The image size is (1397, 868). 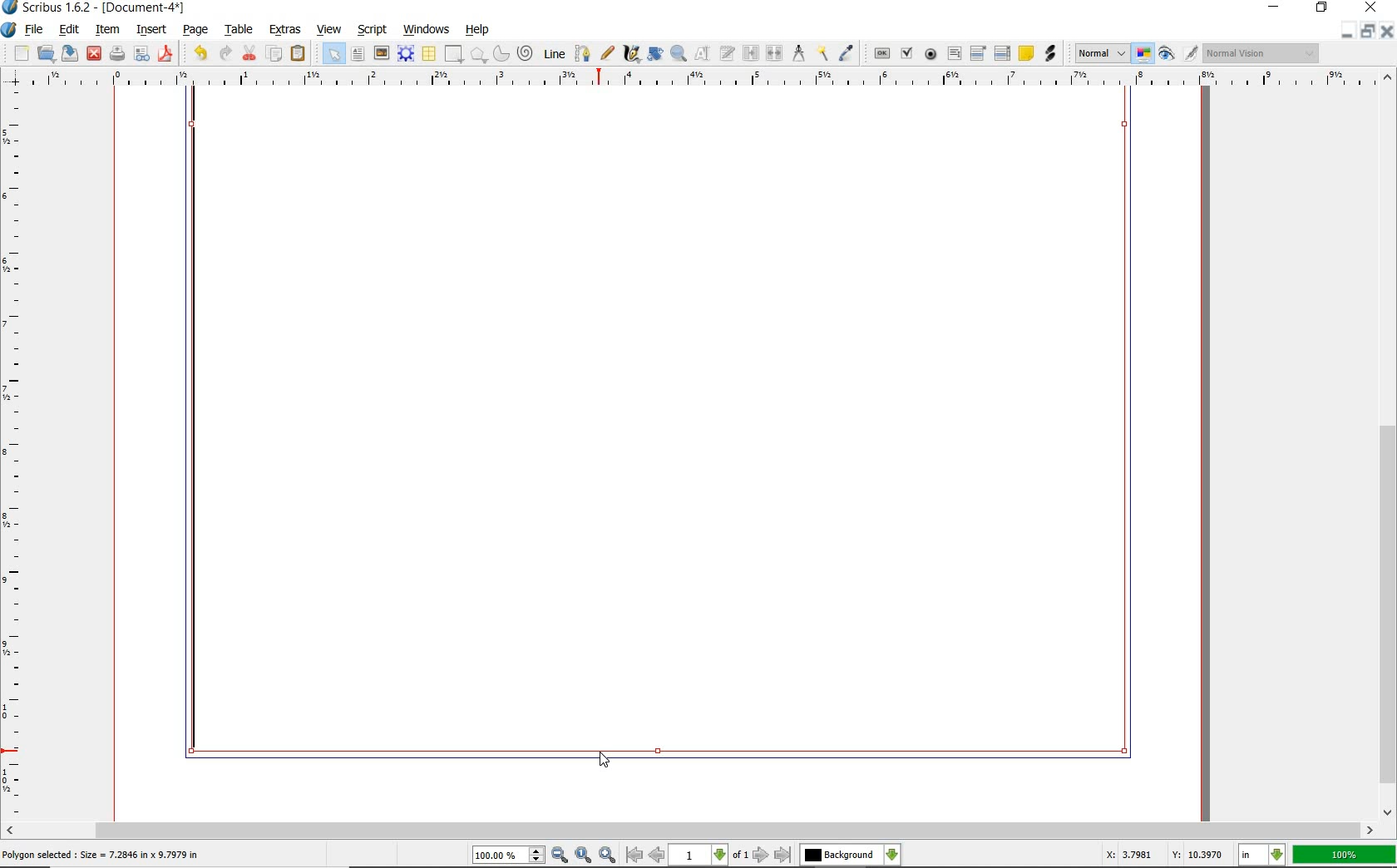 What do you see at coordinates (701, 79) in the screenshot?
I see `ruler` at bounding box center [701, 79].